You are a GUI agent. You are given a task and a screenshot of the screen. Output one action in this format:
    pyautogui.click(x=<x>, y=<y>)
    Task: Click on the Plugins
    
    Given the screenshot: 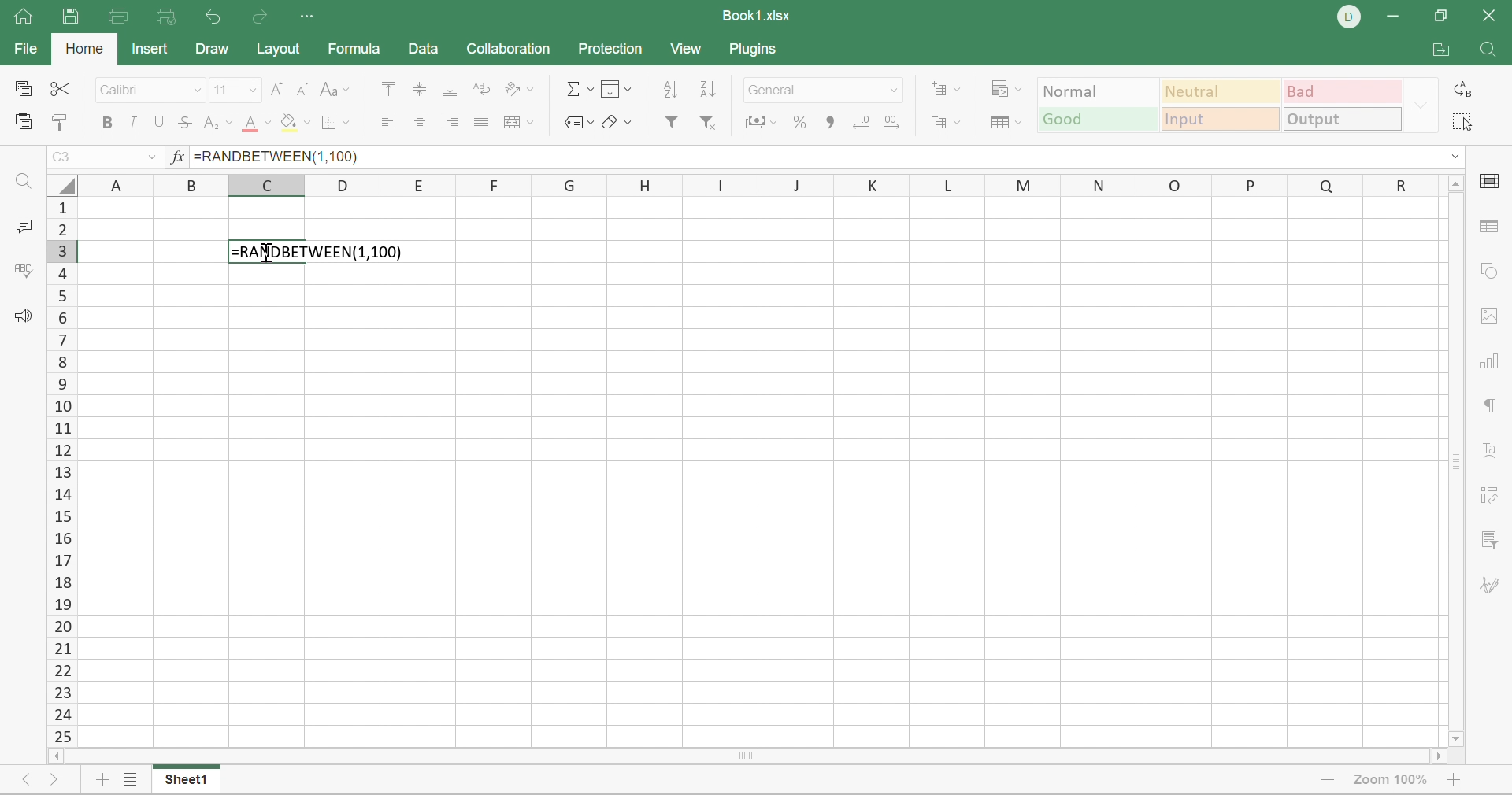 What is the action you would take?
    pyautogui.click(x=755, y=54)
    